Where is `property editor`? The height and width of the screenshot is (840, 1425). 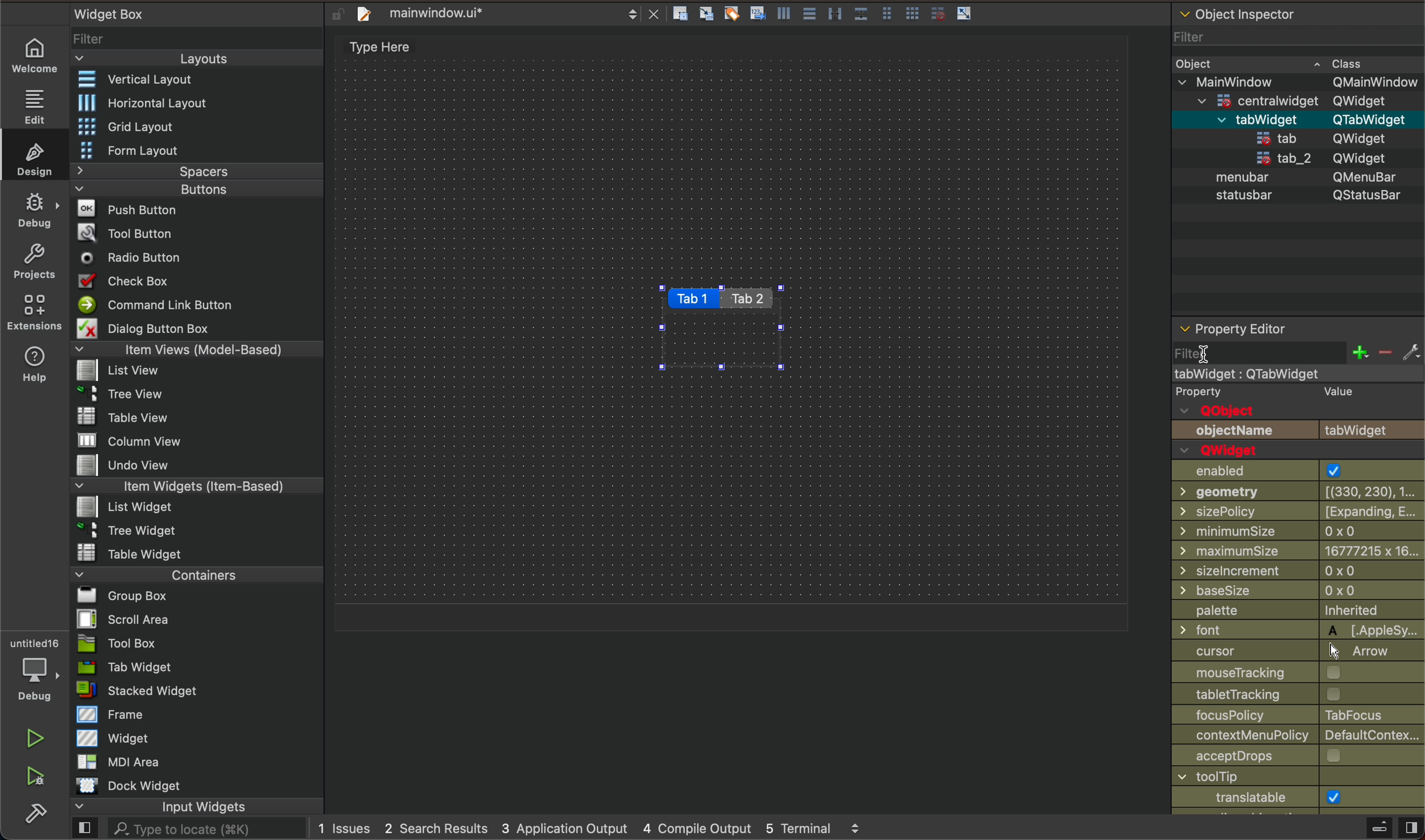
property editor is located at coordinates (1286, 326).